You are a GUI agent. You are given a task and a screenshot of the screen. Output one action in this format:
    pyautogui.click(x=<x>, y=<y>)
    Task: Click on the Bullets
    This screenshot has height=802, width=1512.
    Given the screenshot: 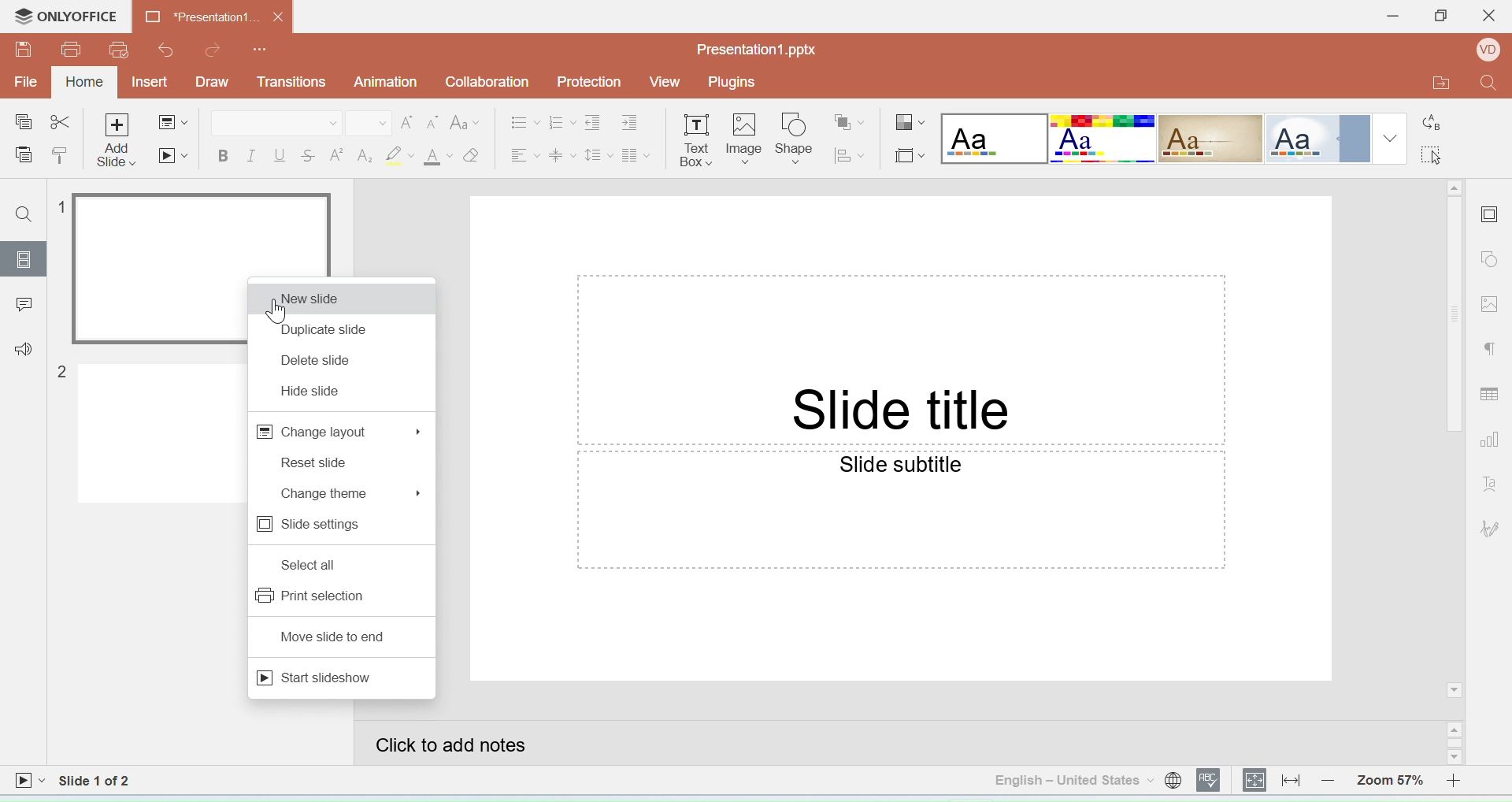 What is the action you would take?
    pyautogui.click(x=526, y=121)
    